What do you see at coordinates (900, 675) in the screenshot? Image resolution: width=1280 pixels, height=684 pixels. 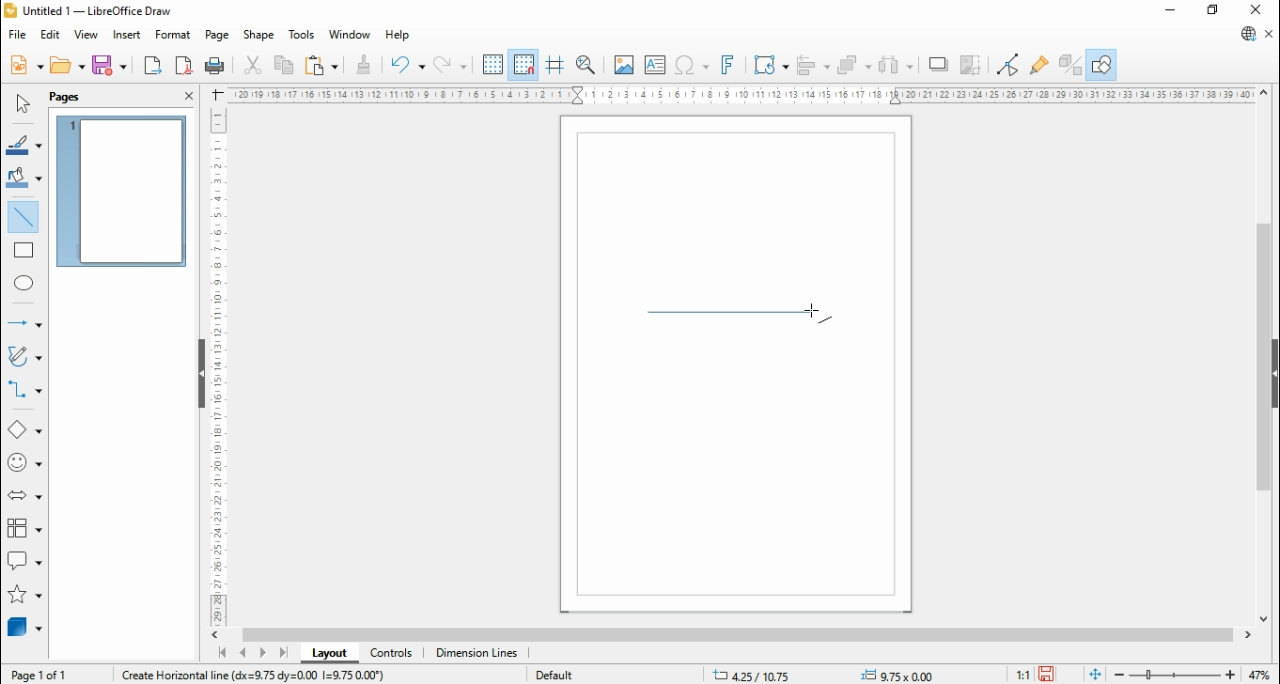 I see `0.00x0.00` at bounding box center [900, 675].